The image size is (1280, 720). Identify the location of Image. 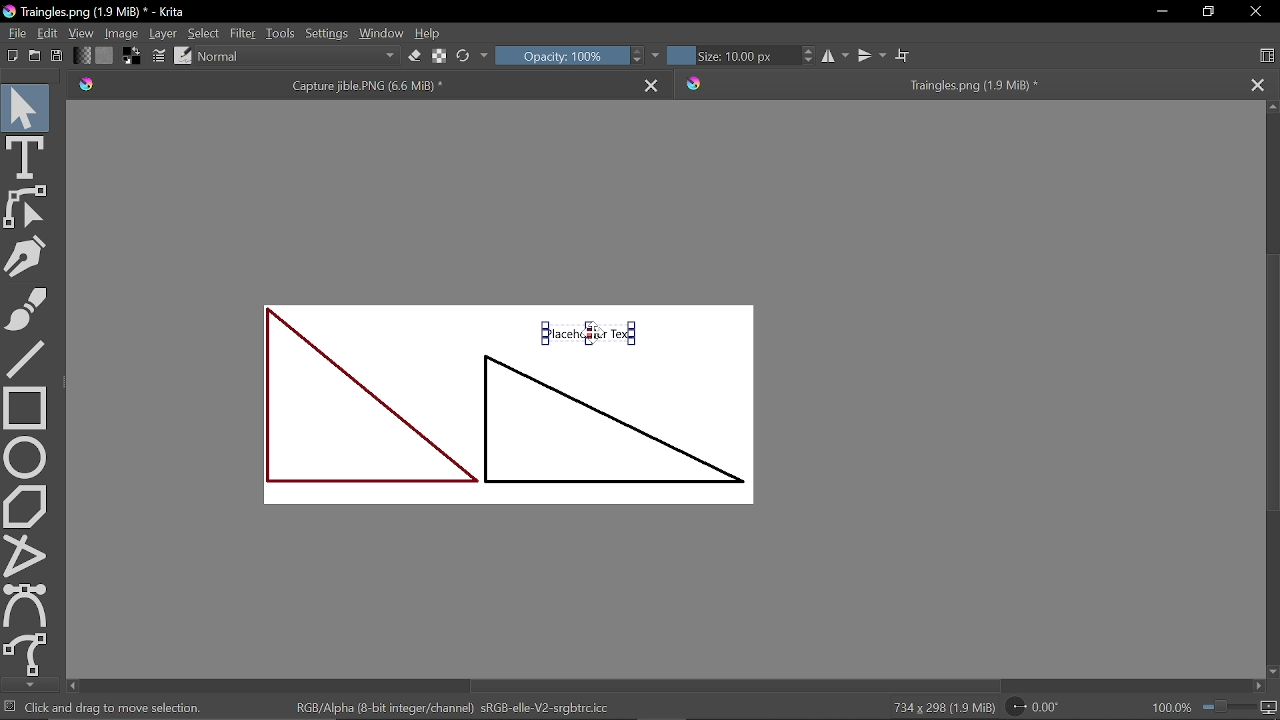
(123, 33).